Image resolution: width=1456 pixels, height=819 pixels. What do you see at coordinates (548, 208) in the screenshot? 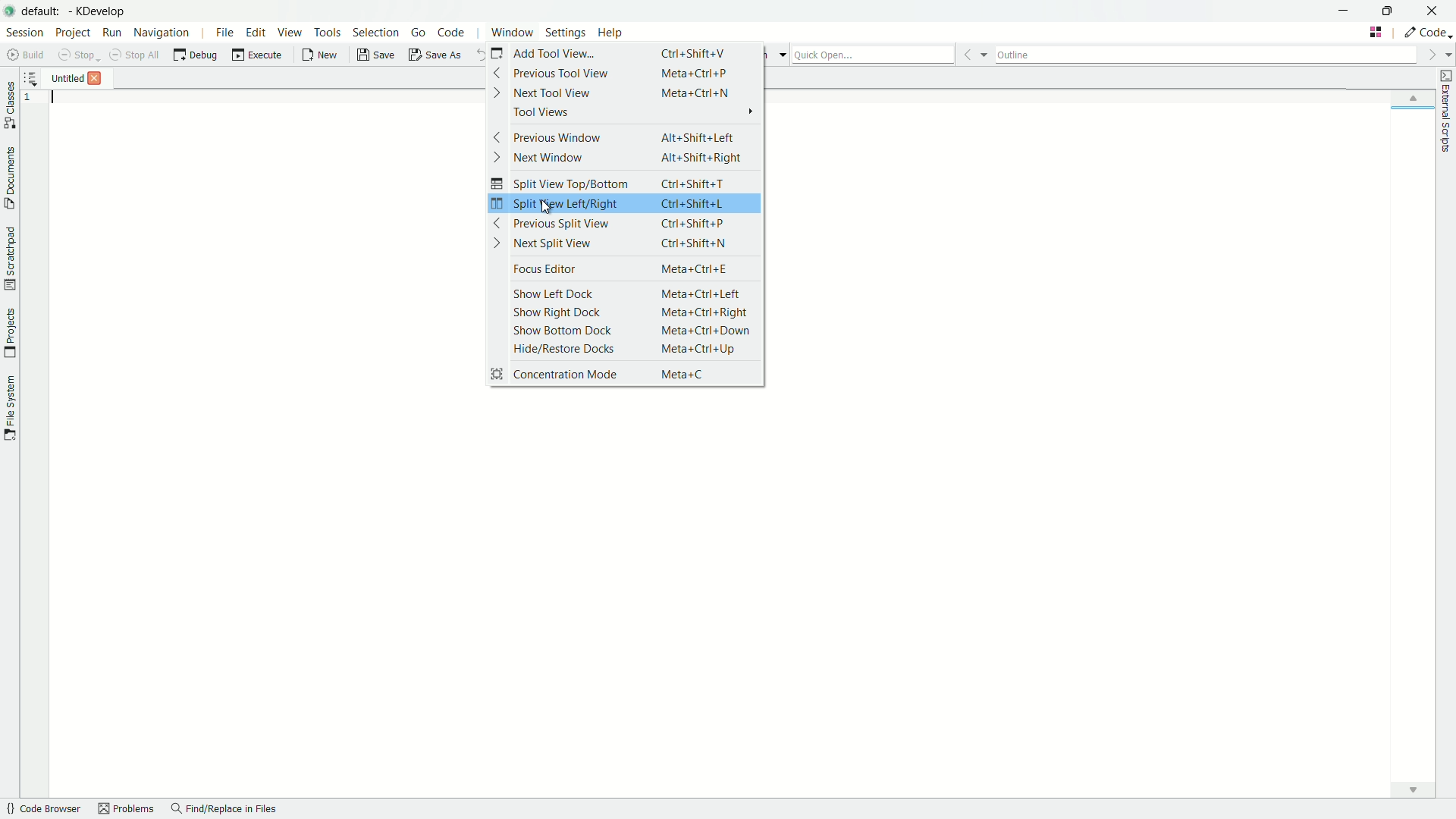
I see `cursor` at bounding box center [548, 208].